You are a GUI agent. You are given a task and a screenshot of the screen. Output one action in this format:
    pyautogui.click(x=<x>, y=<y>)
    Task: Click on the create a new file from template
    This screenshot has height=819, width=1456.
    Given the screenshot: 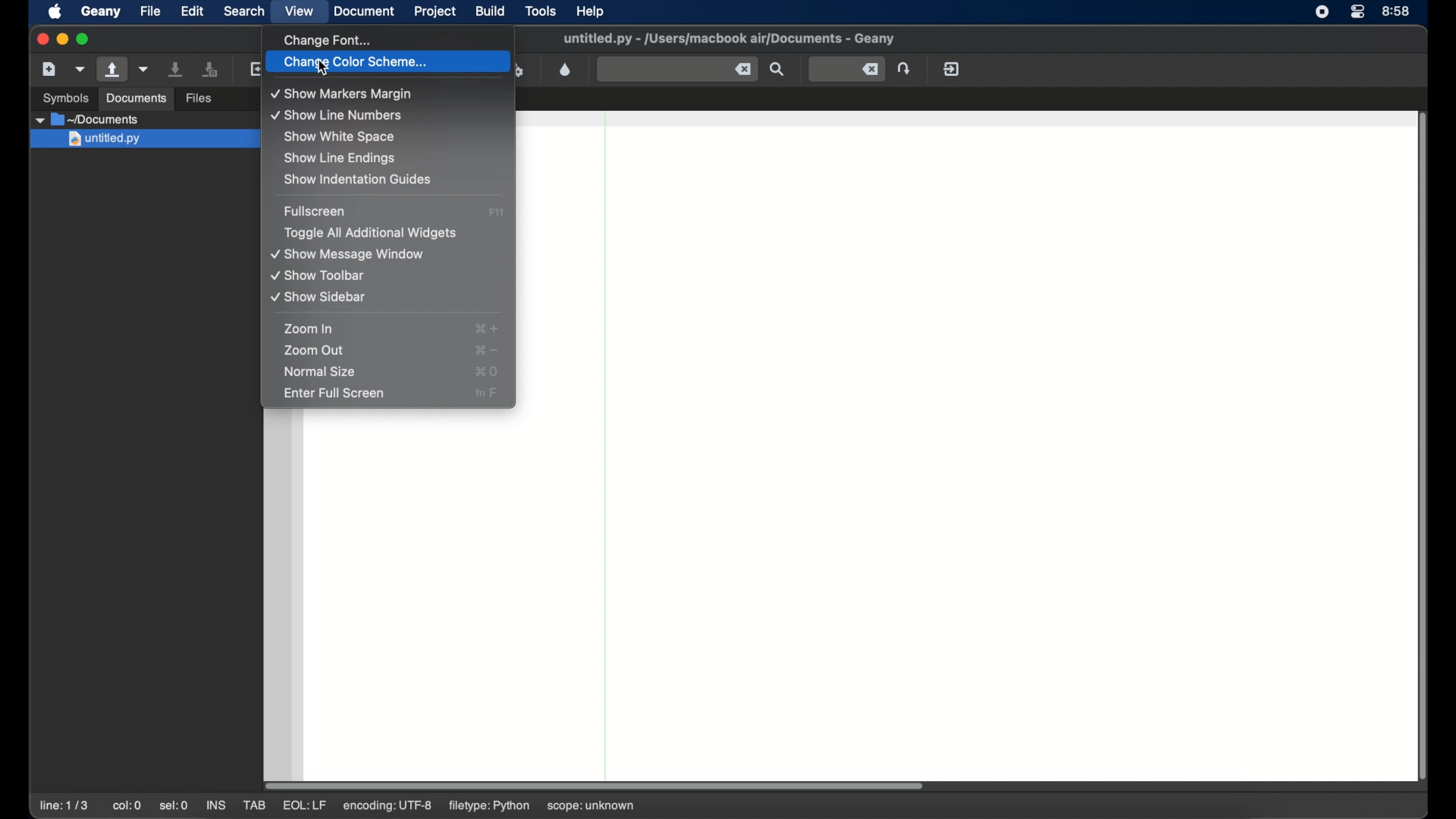 What is the action you would take?
    pyautogui.click(x=80, y=69)
    